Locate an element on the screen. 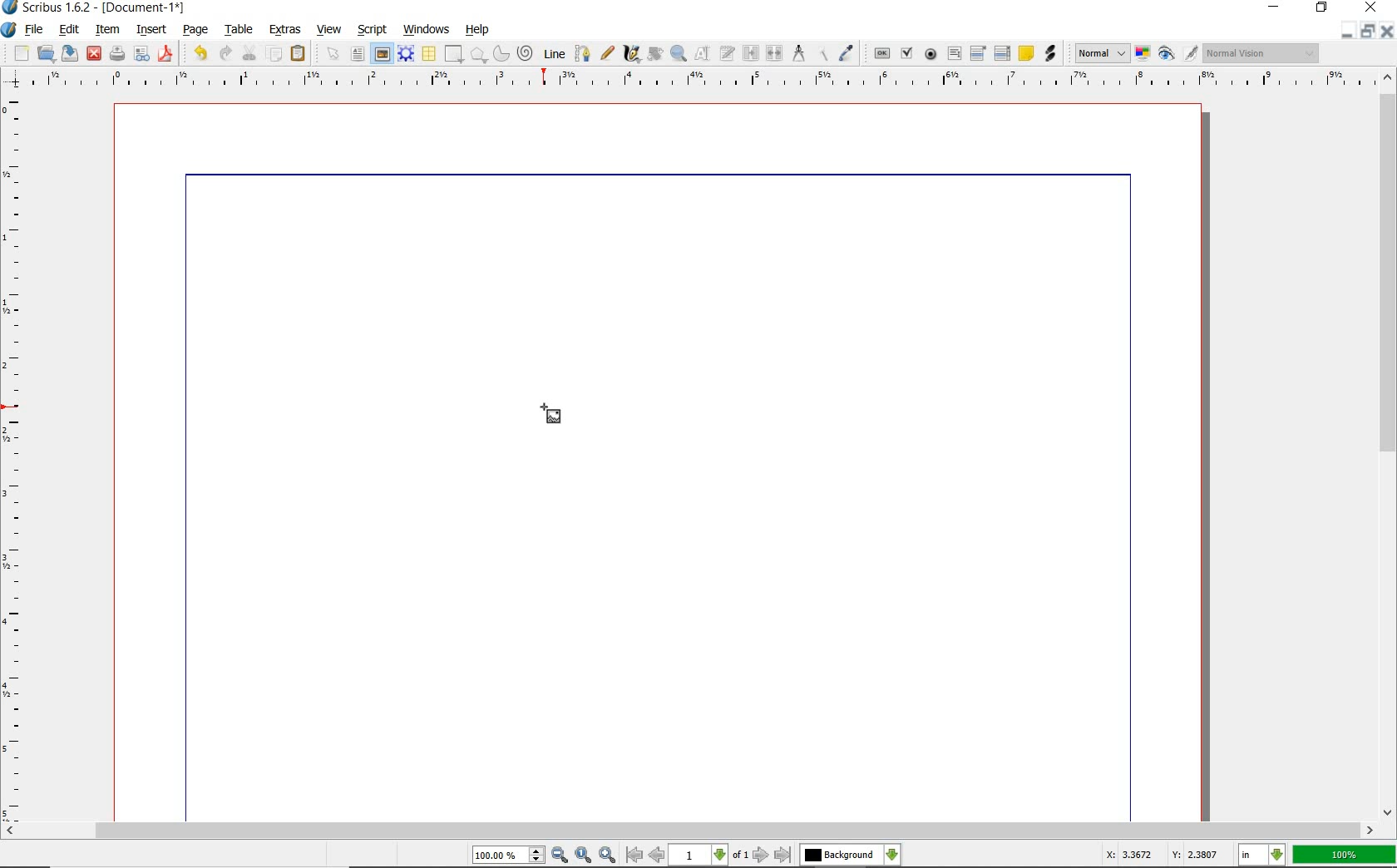 The image size is (1397, 868). new is located at coordinates (19, 52).